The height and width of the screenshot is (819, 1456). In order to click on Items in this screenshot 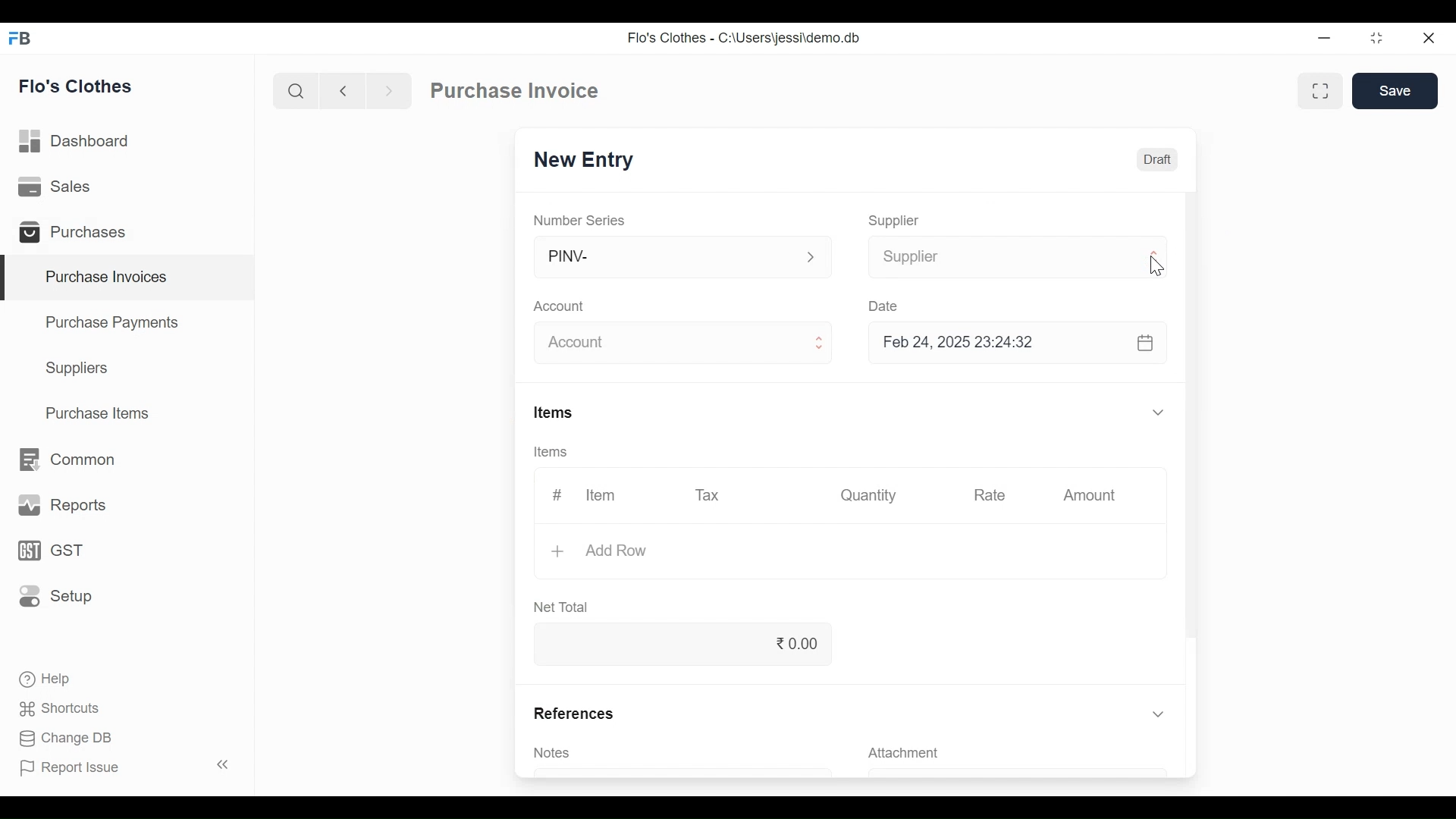, I will do `click(549, 452)`.